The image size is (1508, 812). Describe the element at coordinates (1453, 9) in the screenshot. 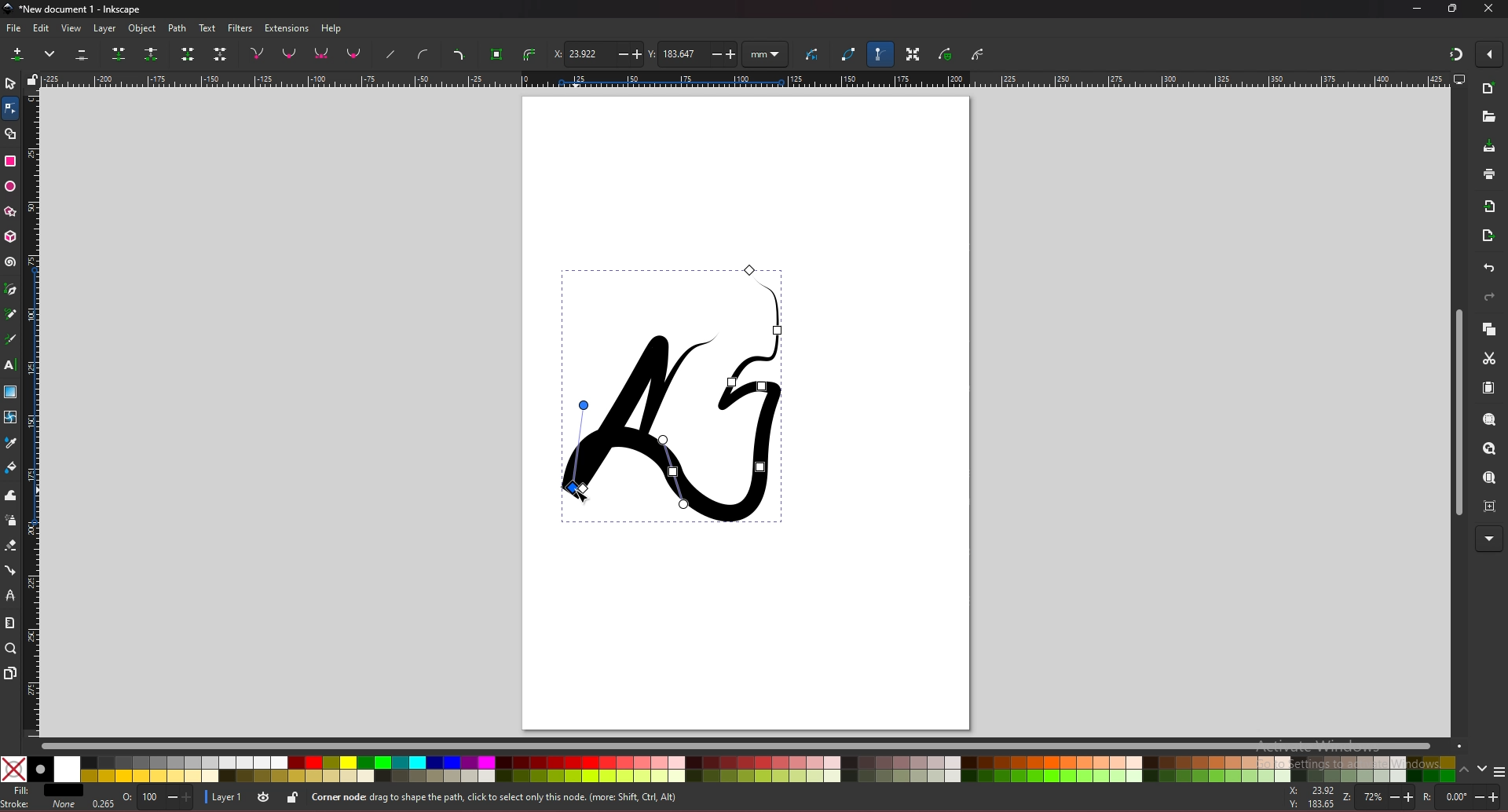

I see `resize` at that location.